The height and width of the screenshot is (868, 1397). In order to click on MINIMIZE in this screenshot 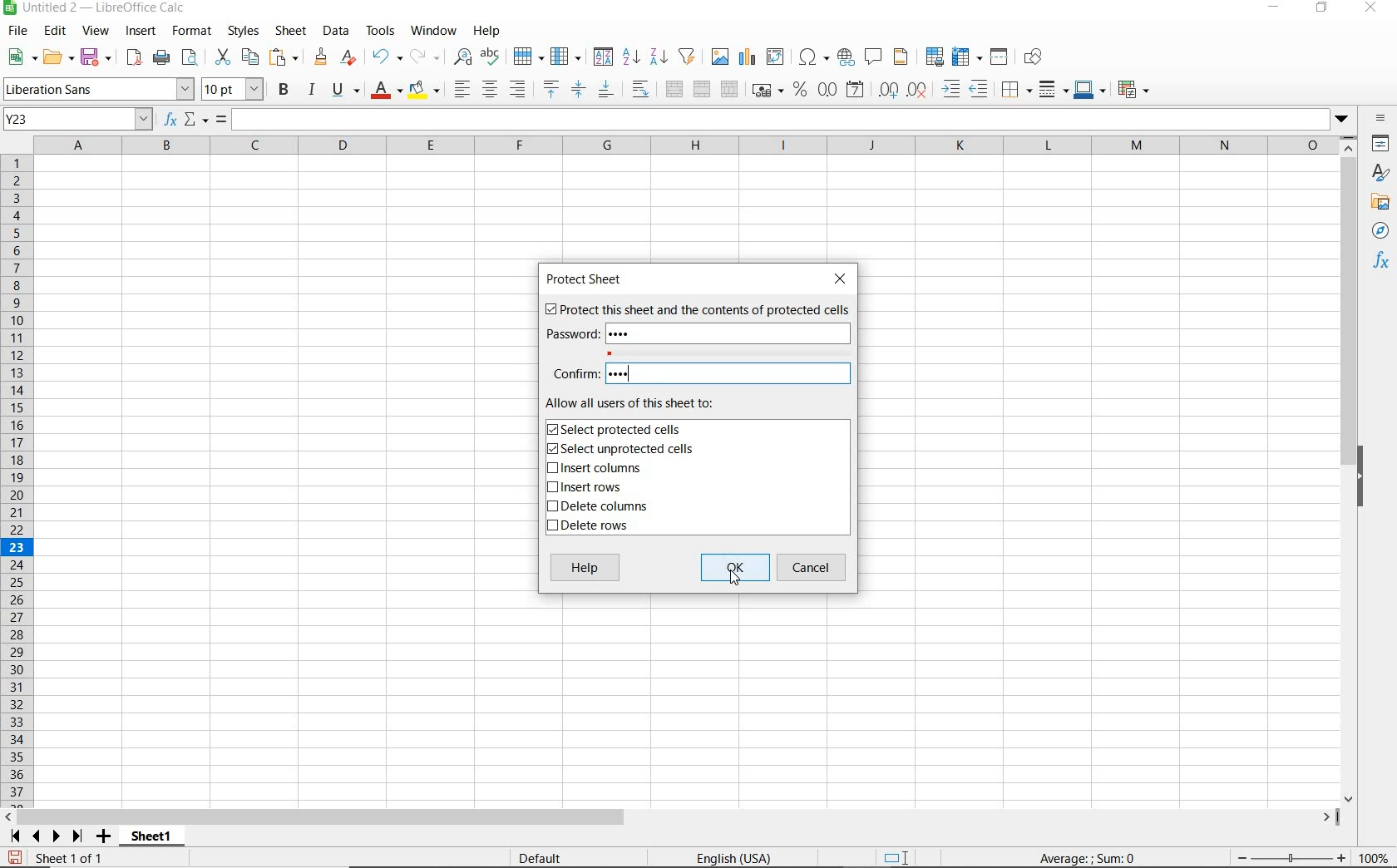, I will do `click(1276, 8)`.